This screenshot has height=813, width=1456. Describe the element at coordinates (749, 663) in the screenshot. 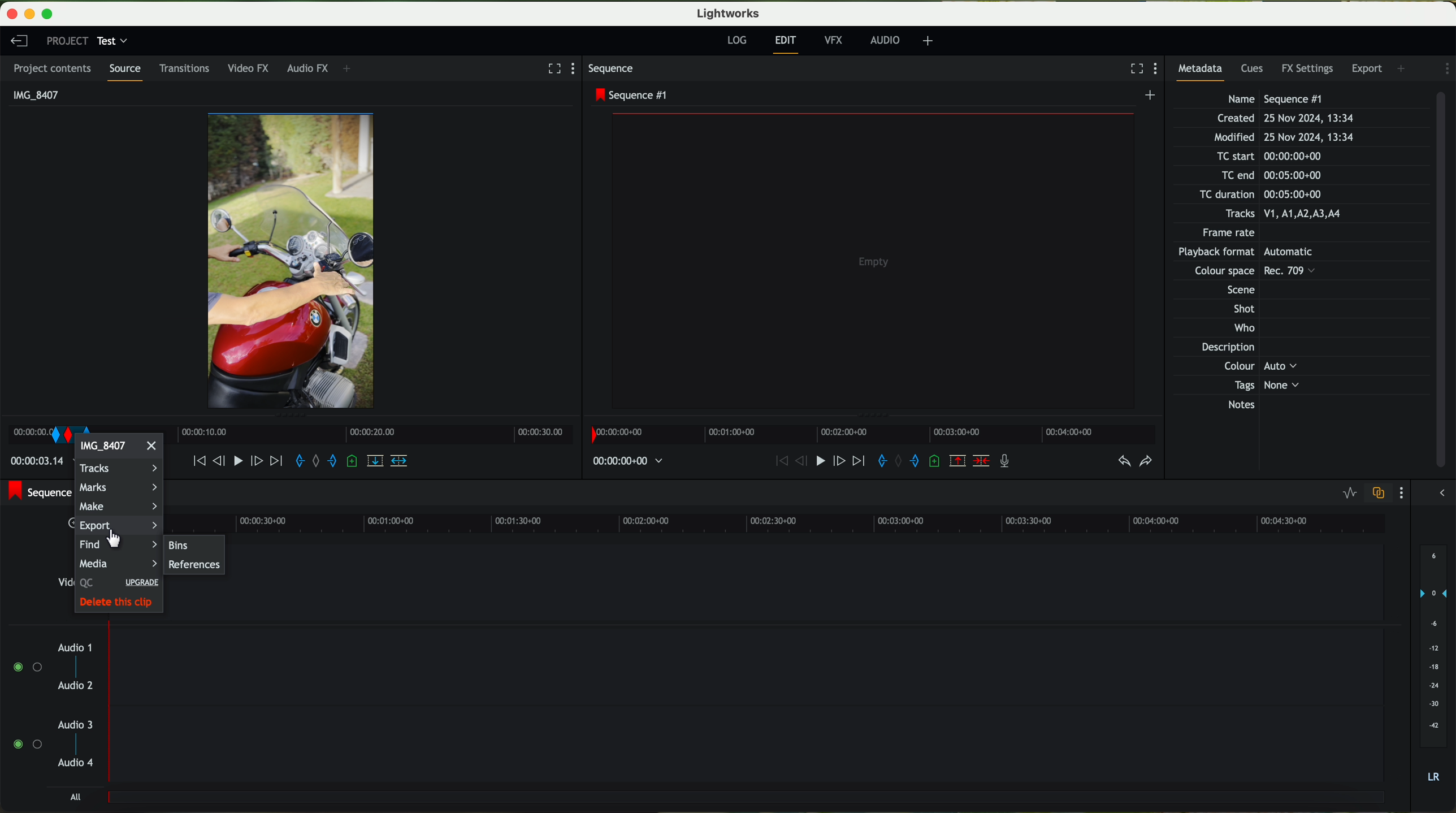

I see `track` at that location.